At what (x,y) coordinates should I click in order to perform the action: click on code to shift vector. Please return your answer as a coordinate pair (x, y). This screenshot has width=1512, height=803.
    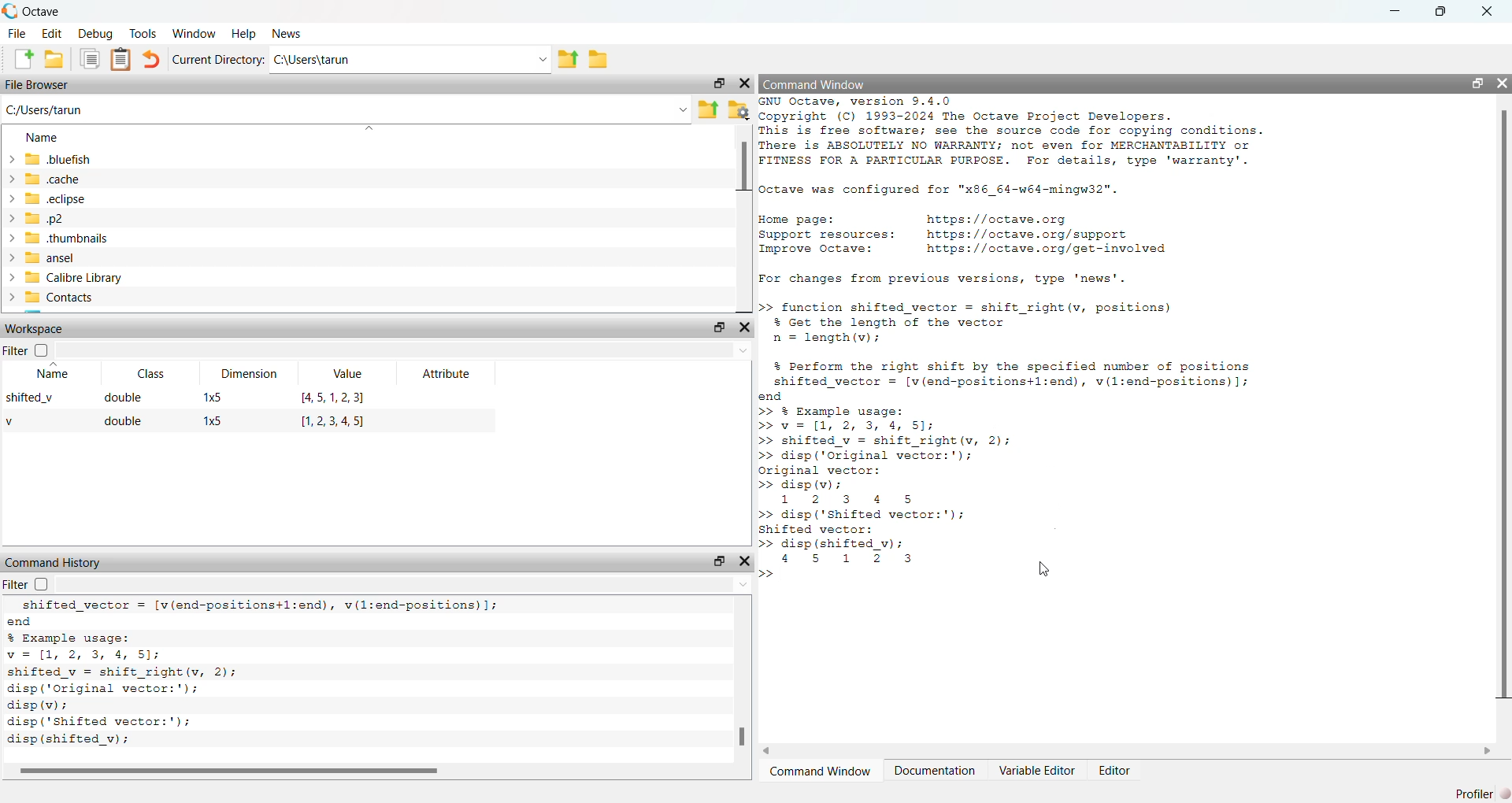
    Looking at the image, I should click on (896, 521).